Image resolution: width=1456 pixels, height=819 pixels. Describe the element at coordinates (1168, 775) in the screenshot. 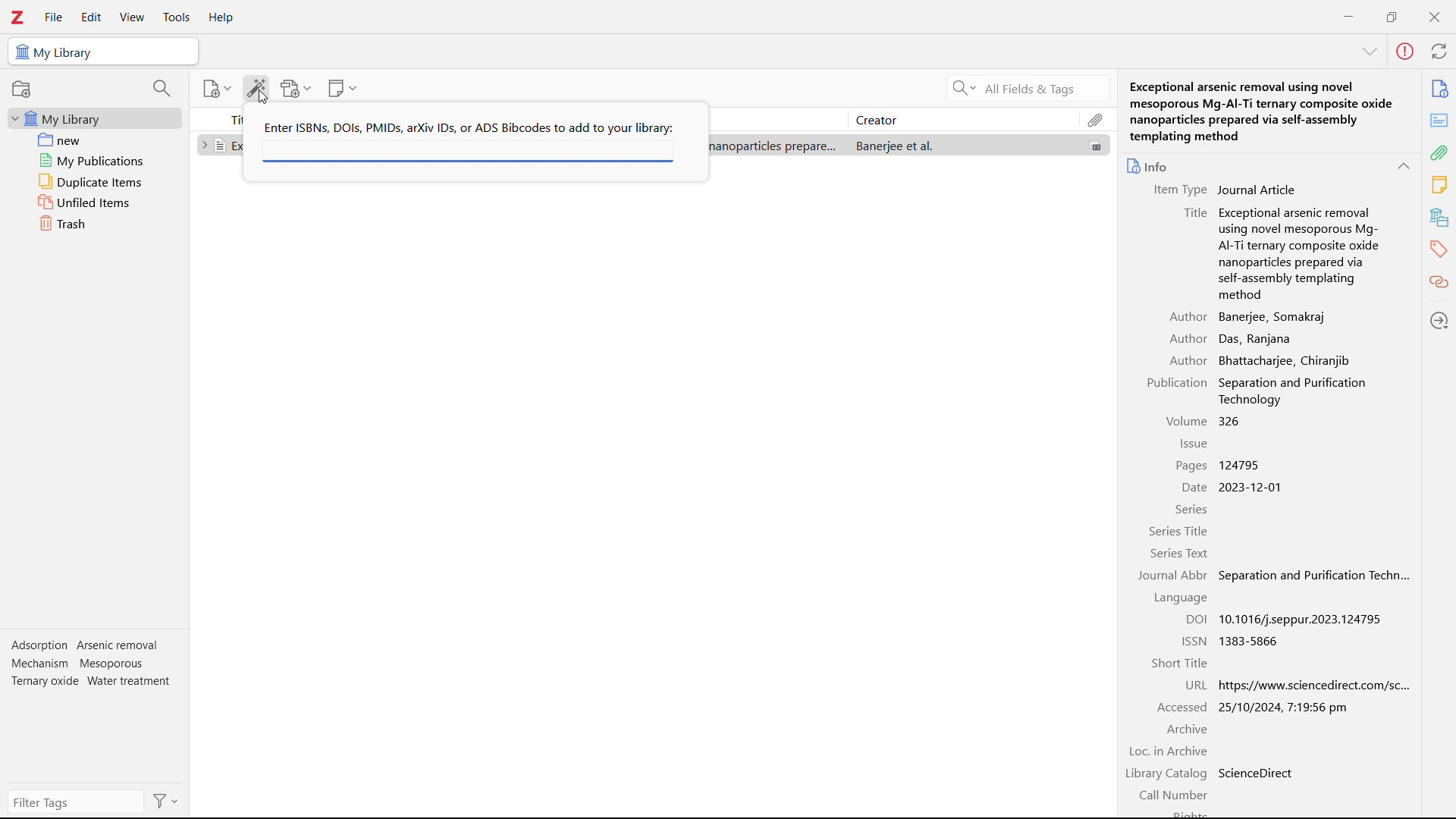

I see `Library catalogue` at that location.